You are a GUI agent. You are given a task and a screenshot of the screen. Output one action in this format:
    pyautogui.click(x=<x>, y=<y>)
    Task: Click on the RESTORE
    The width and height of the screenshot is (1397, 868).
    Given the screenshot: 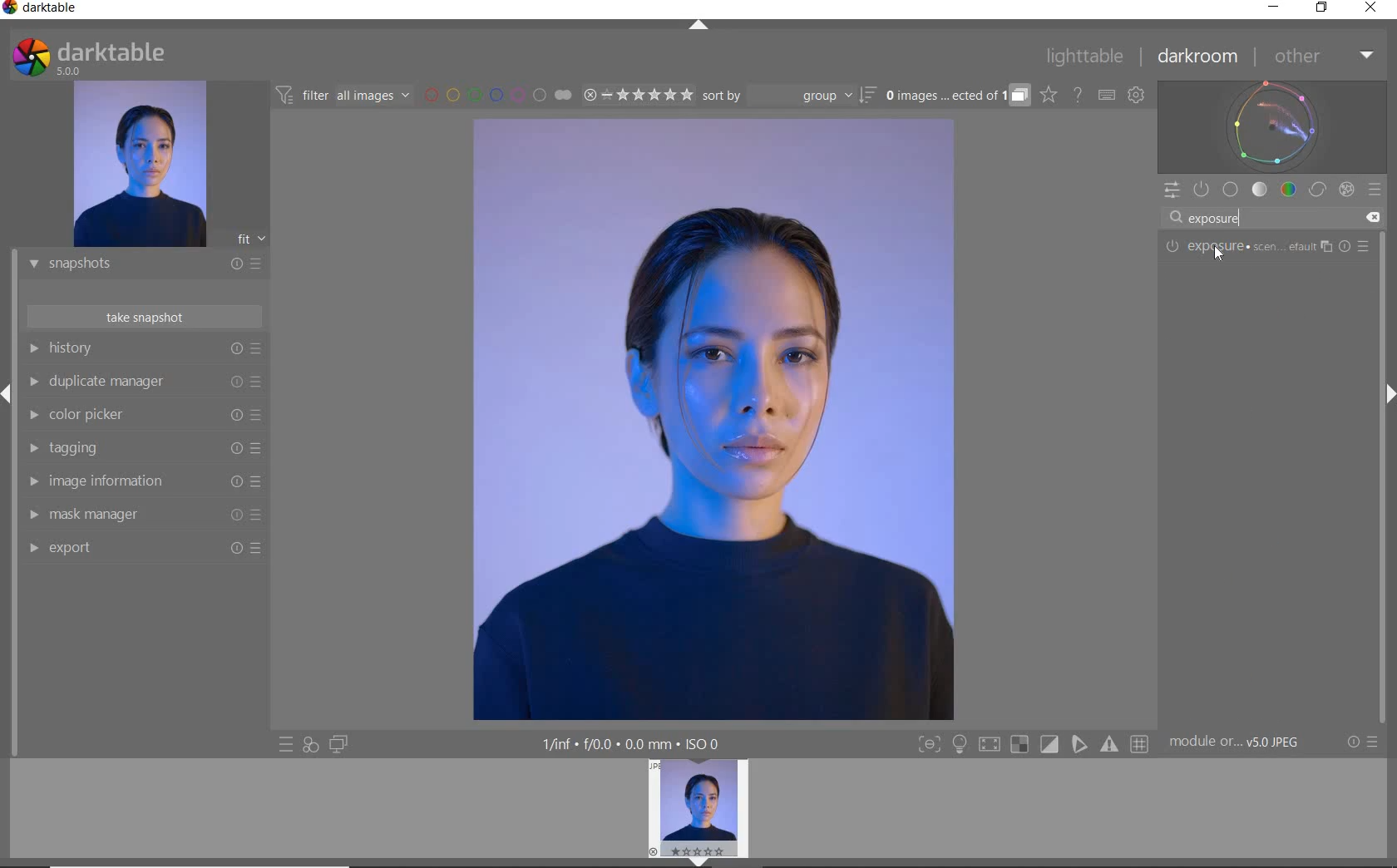 What is the action you would take?
    pyautogui.click(x=1325, y=8)
    